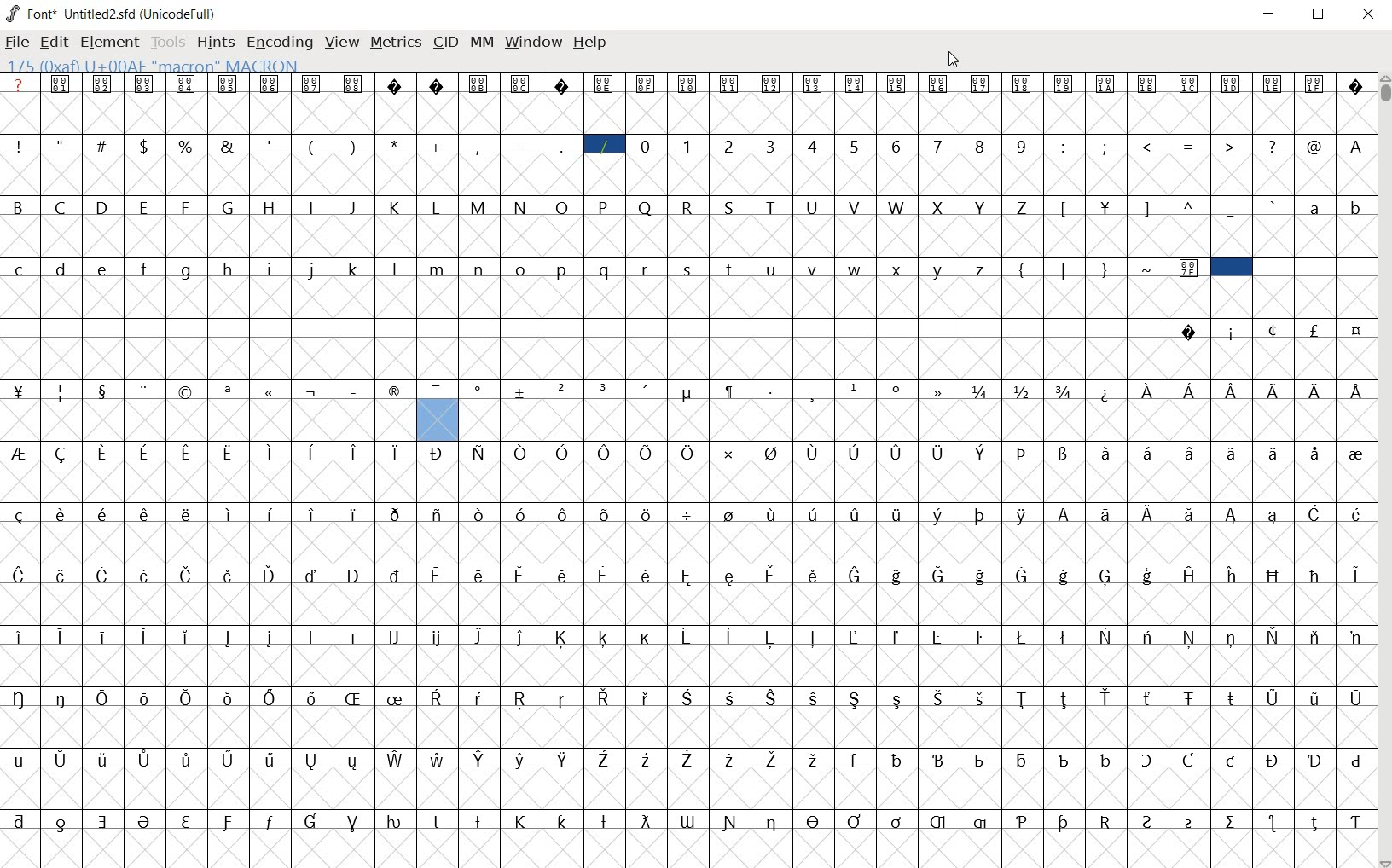 This screenshot has width=1392, height=868. What do you see at coordinates (313, 451) in the screenshot?
I see `Symbol` at bounding box center [313, 451].